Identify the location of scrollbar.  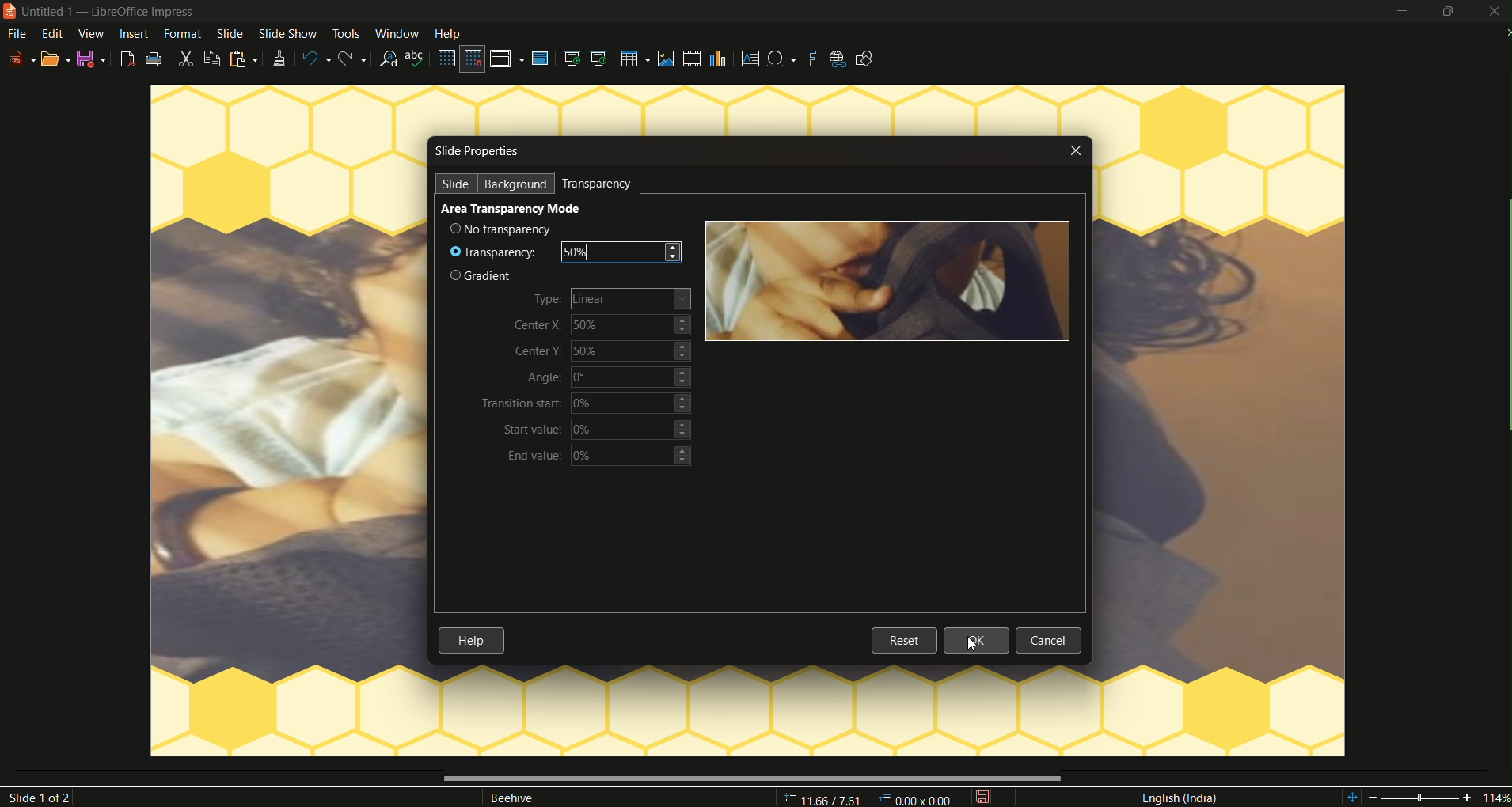
(749, 779).